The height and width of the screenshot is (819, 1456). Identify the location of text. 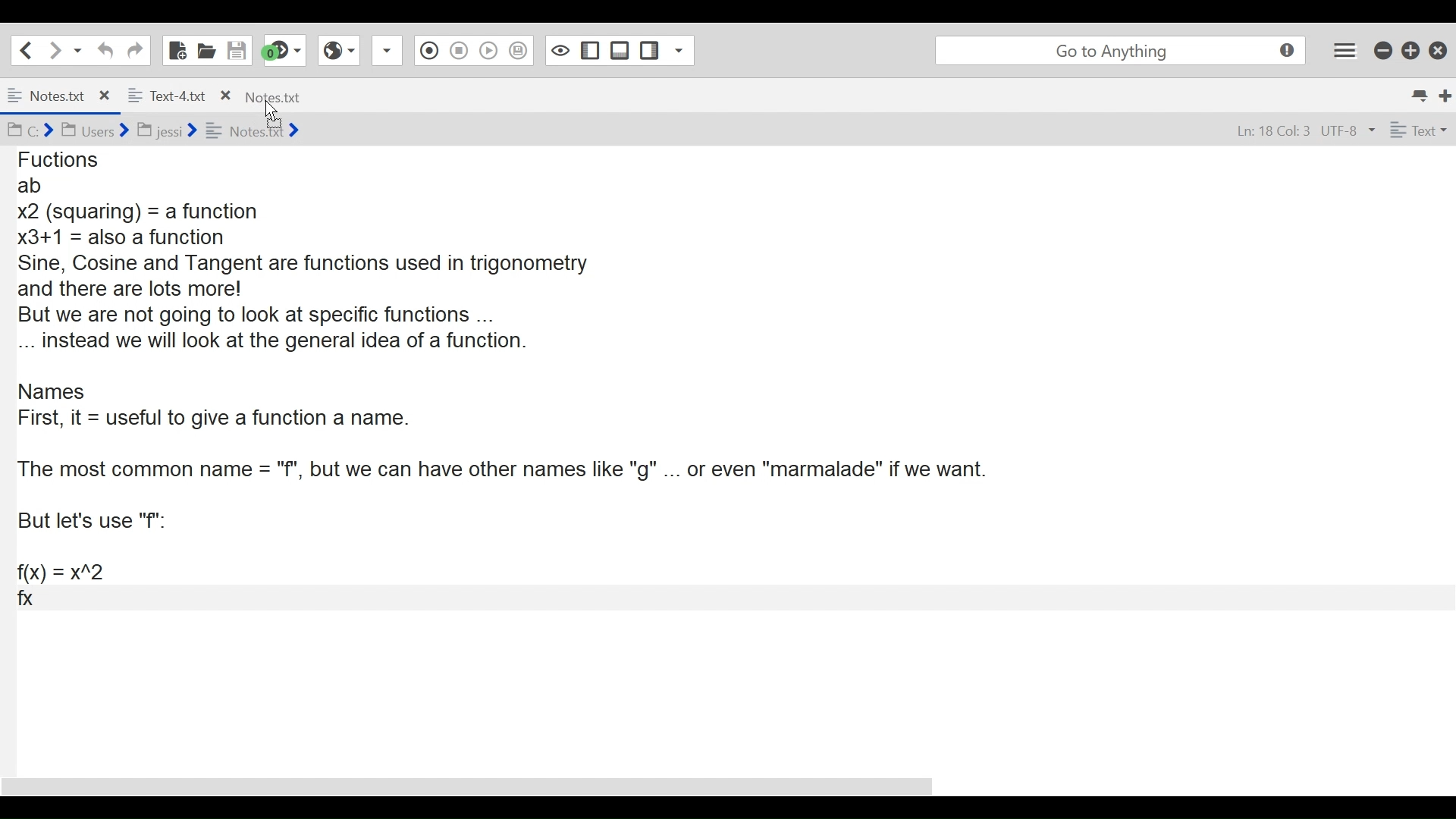
(1416, 130).